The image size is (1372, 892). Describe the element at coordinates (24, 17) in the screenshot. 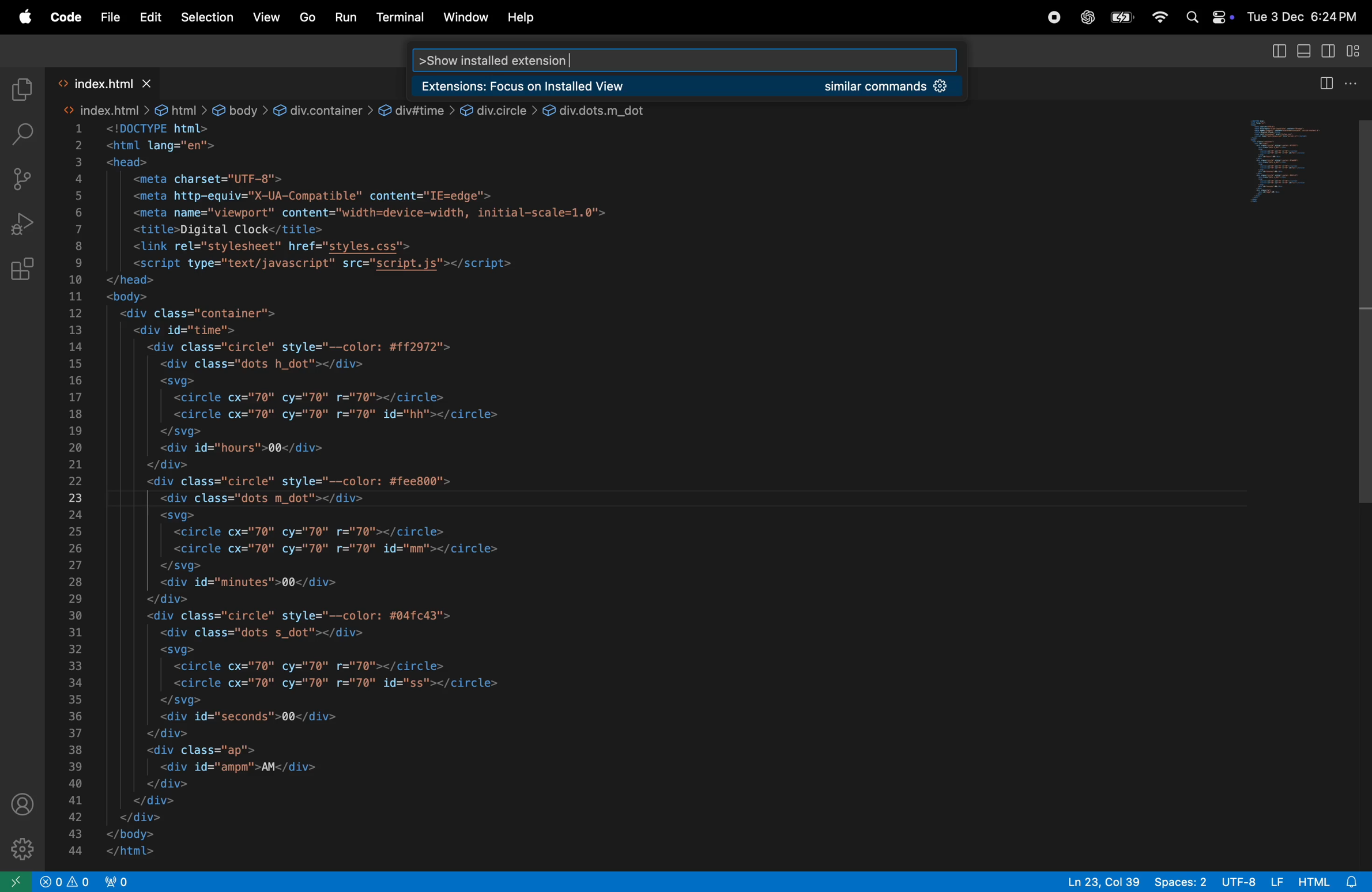

I see `apple menu` at that location.